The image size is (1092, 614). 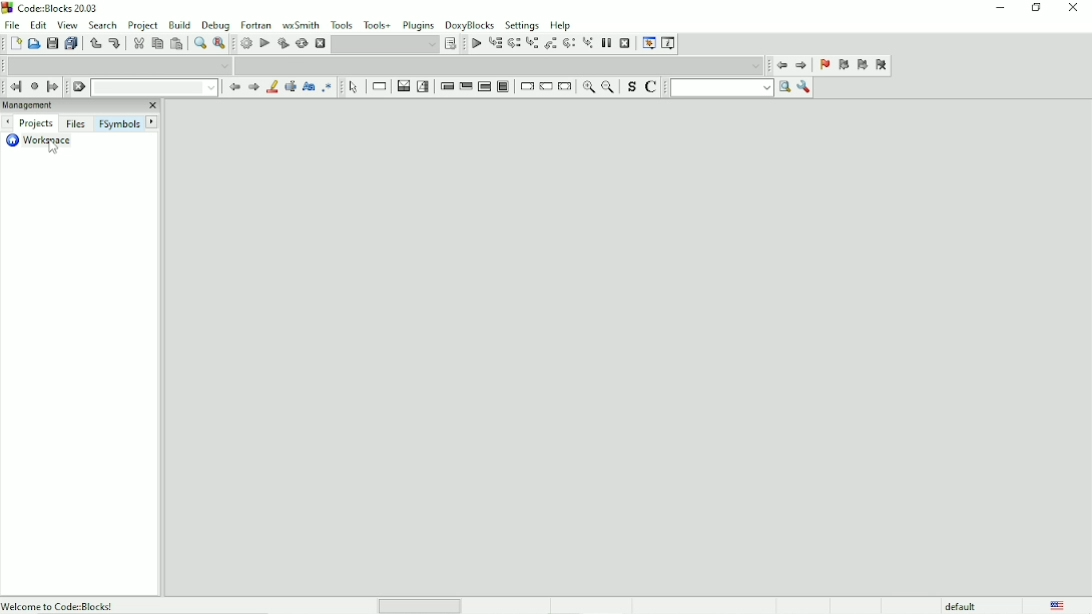 What do you see at coordinates (118, 124) in the screenshot?
I see `FSymbols` at bounding box center [118, 124].